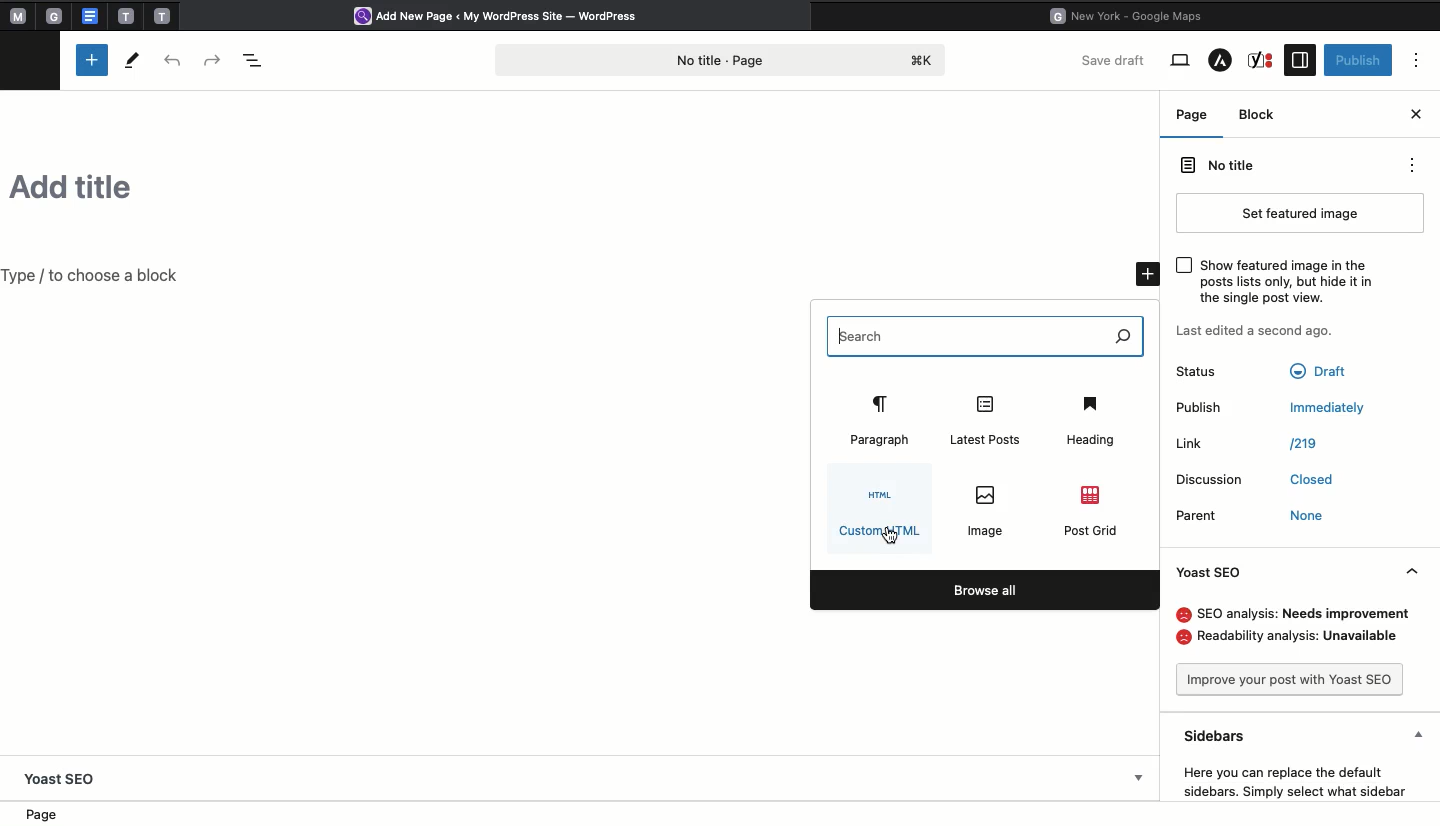  What do you see at coordinates (1295, 169) in the screenshot?
I see `no title` at bounding box center [1295, 169].